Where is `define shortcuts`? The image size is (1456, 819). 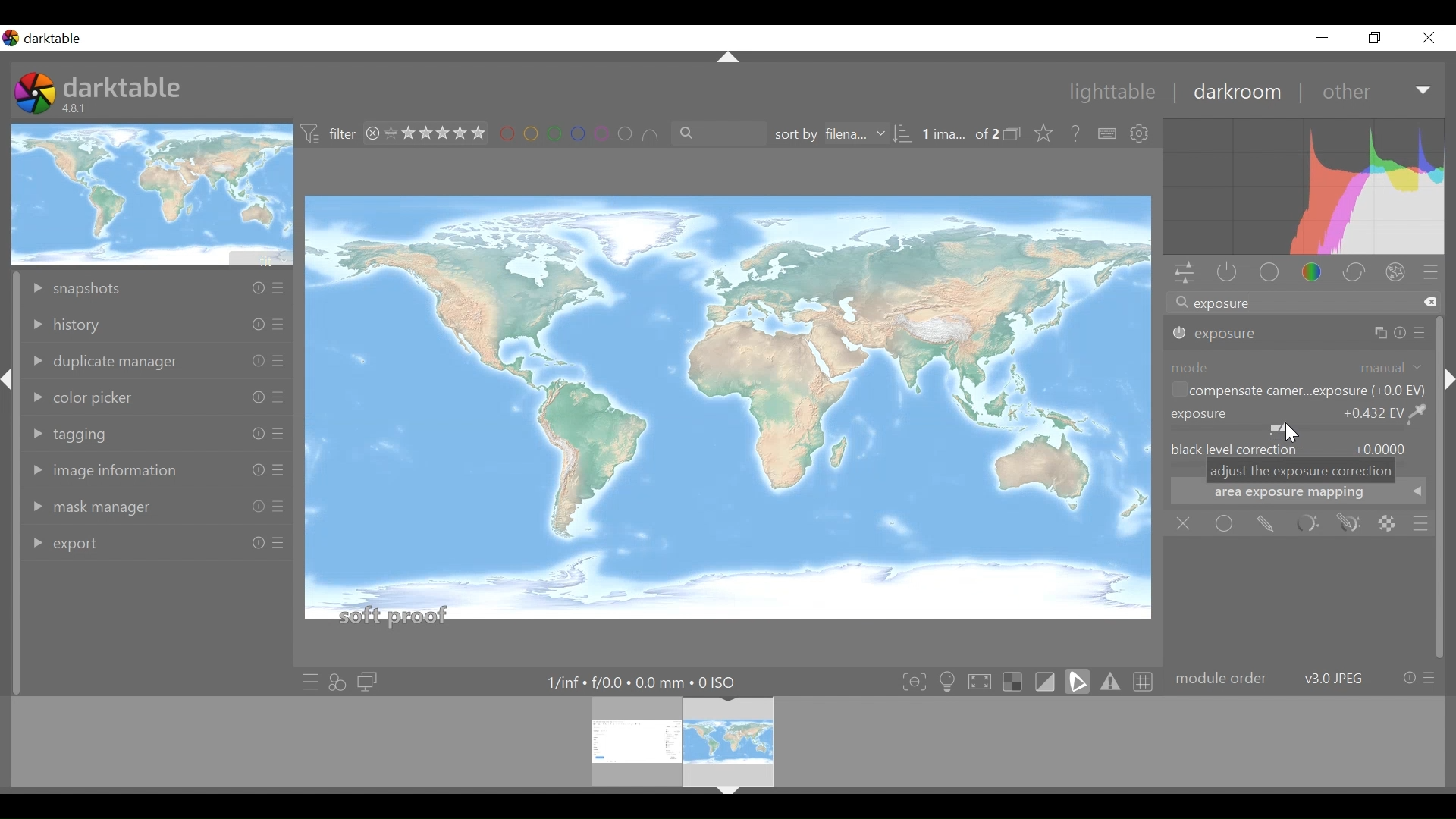
define shortcuts is located at coordinates (1108, 134).